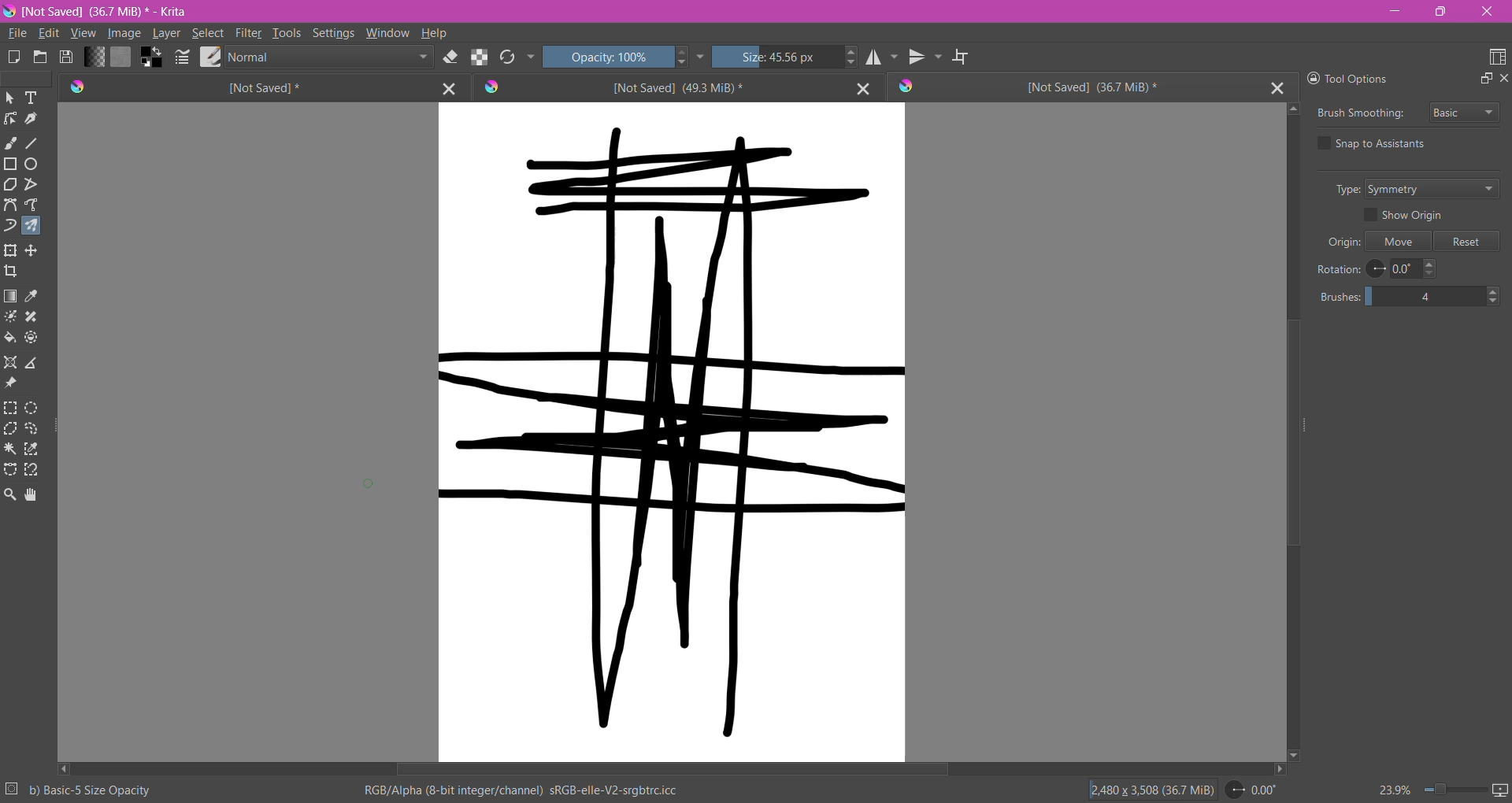 The image size is (1512, 803). What do you see at coordinates (926, 57) in the screenshot?
I see `Vertical Mirror Tool` at bounding box center [926, 57].